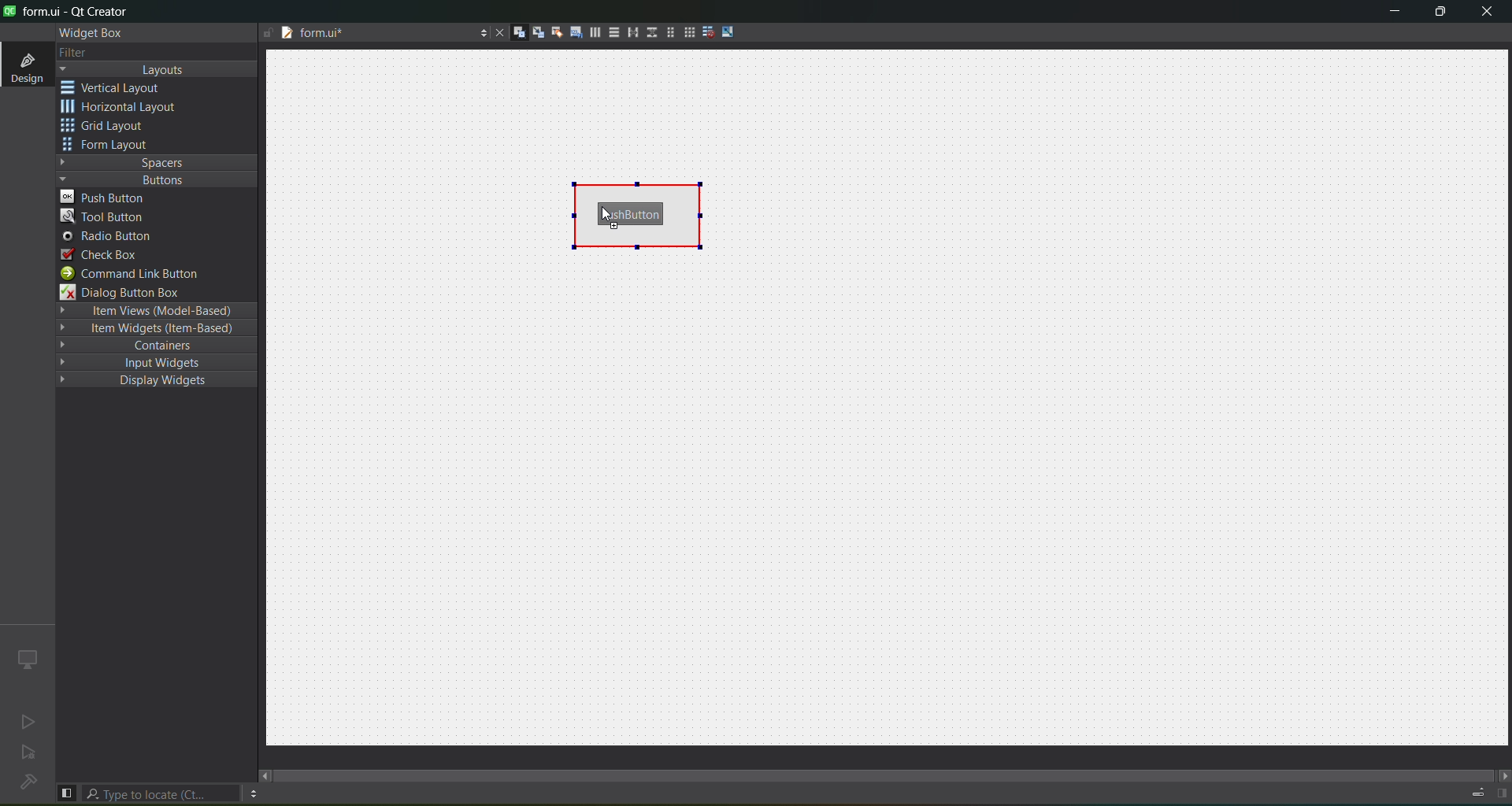  I want to click on layout, so click(160, 70).